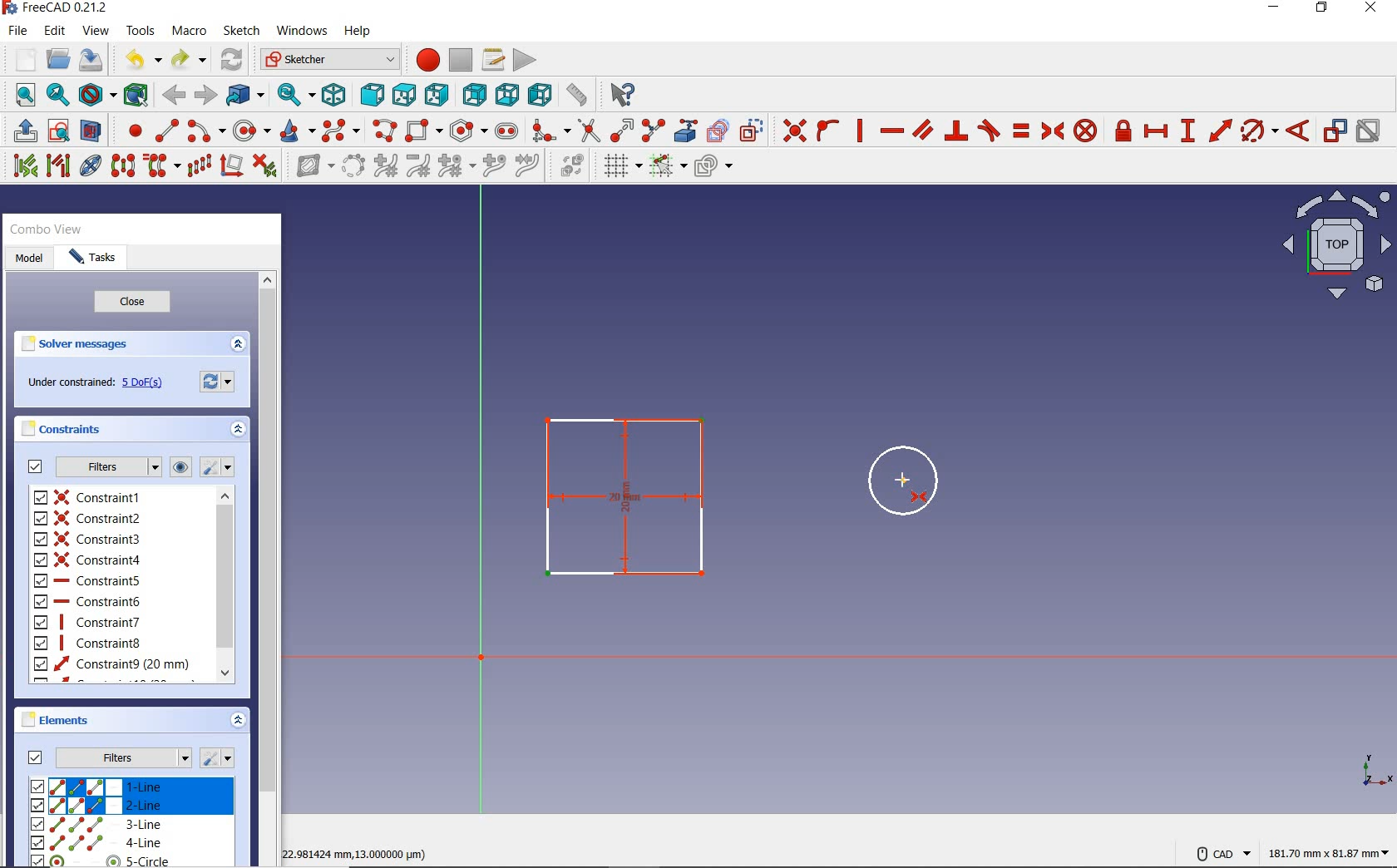 This screenshot has width=1397, height=868. I want to click on create slot, so click(510, 133).